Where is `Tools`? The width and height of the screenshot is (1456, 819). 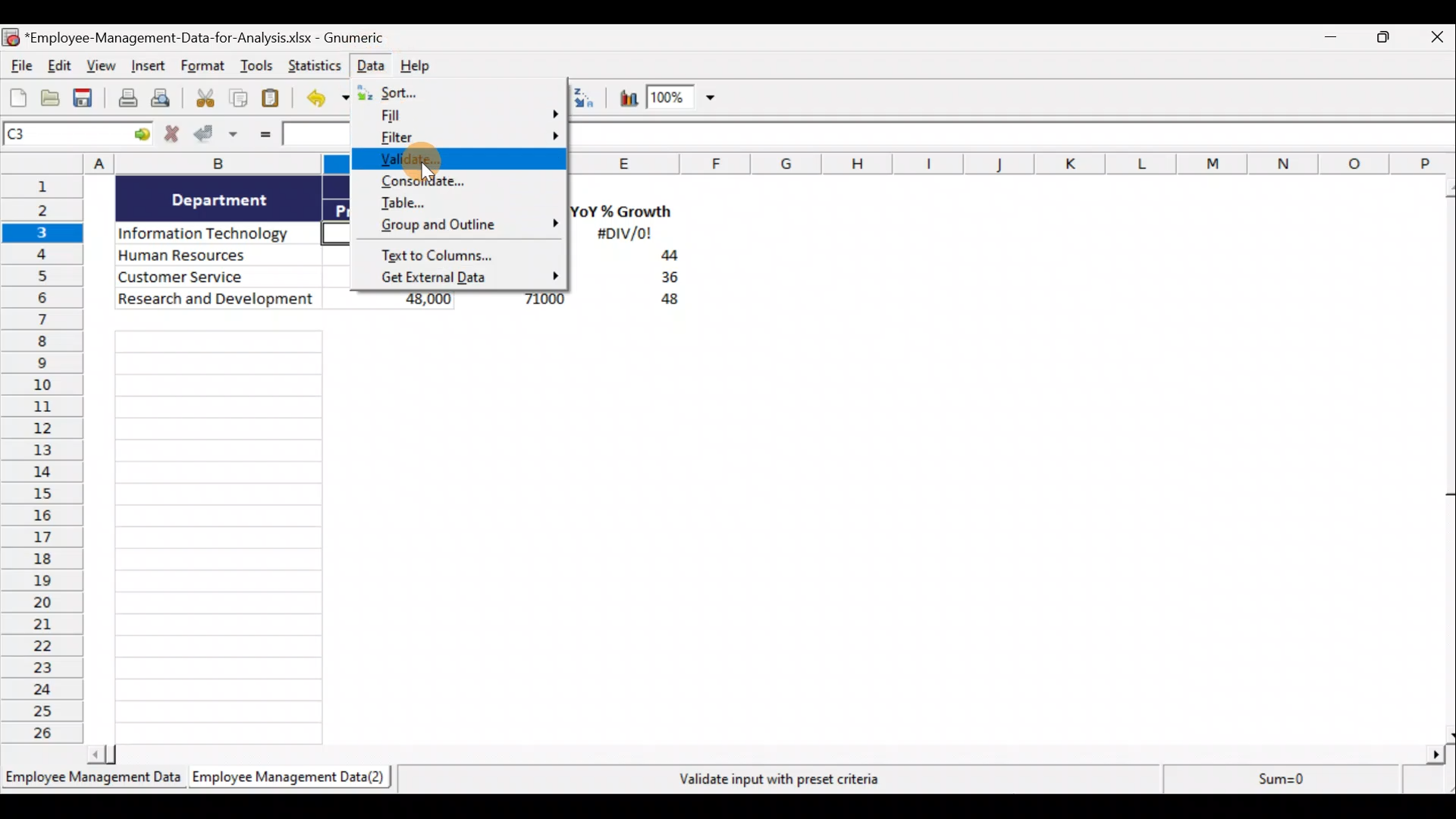 Tools is located at coordinates (257, 67).